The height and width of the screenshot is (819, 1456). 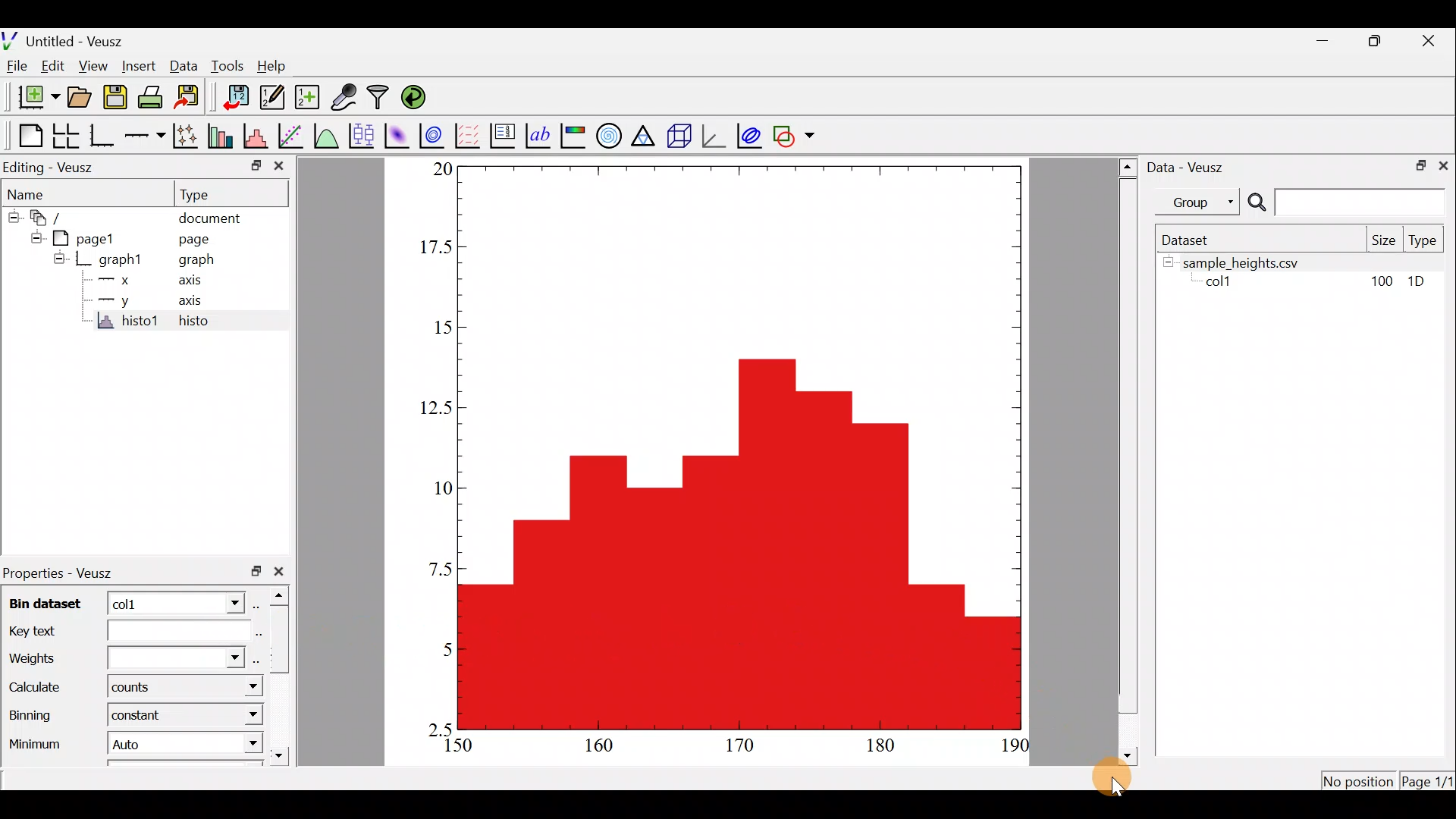 What do you see at coordinates (505, 134) in the screenshot?
I see `plot key` at bounding box center [505, 134].